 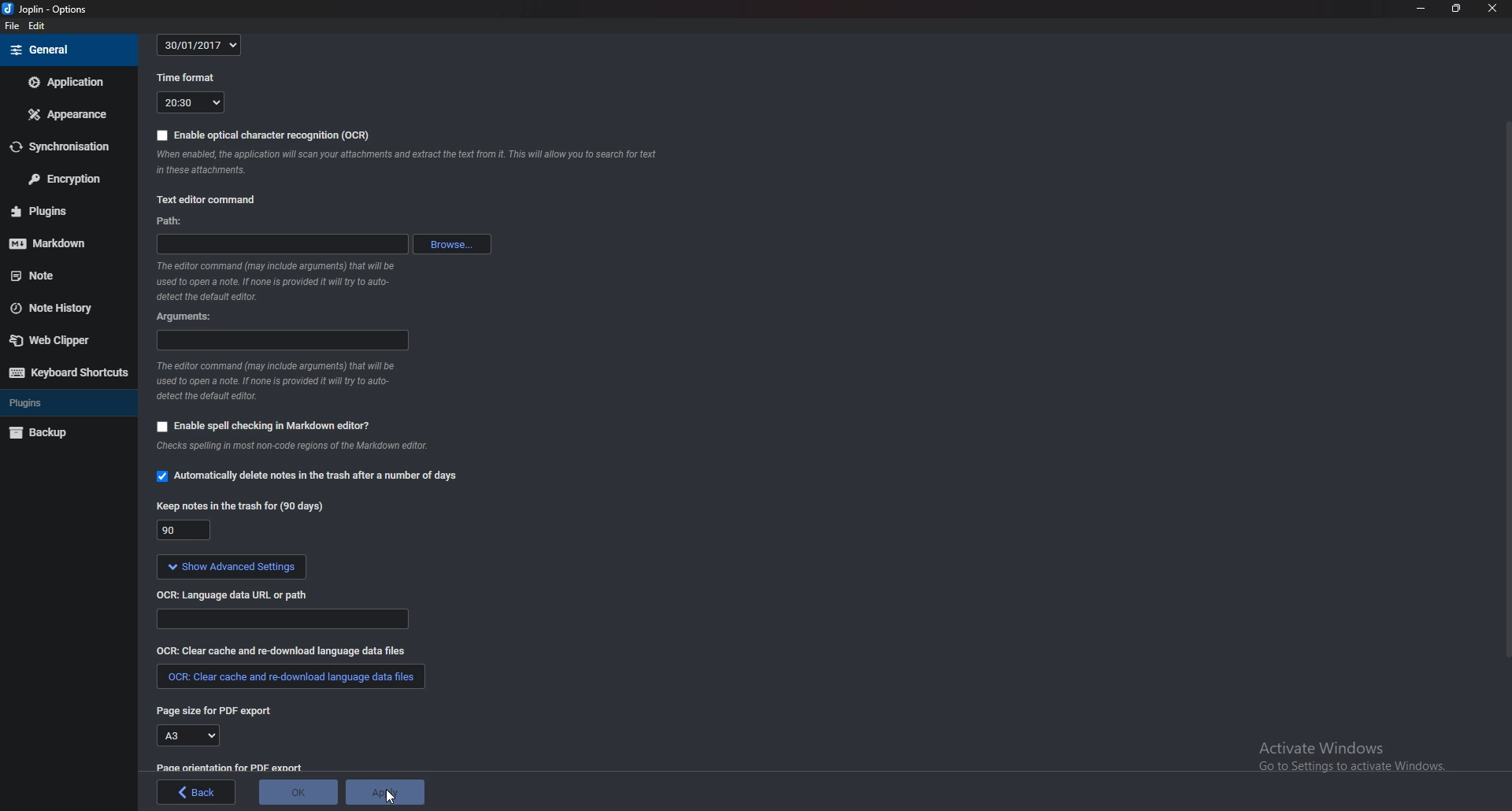 What do you see at coordinates (281, 244) in the screenshot?
I see `path` at bounding box center [281, 244].